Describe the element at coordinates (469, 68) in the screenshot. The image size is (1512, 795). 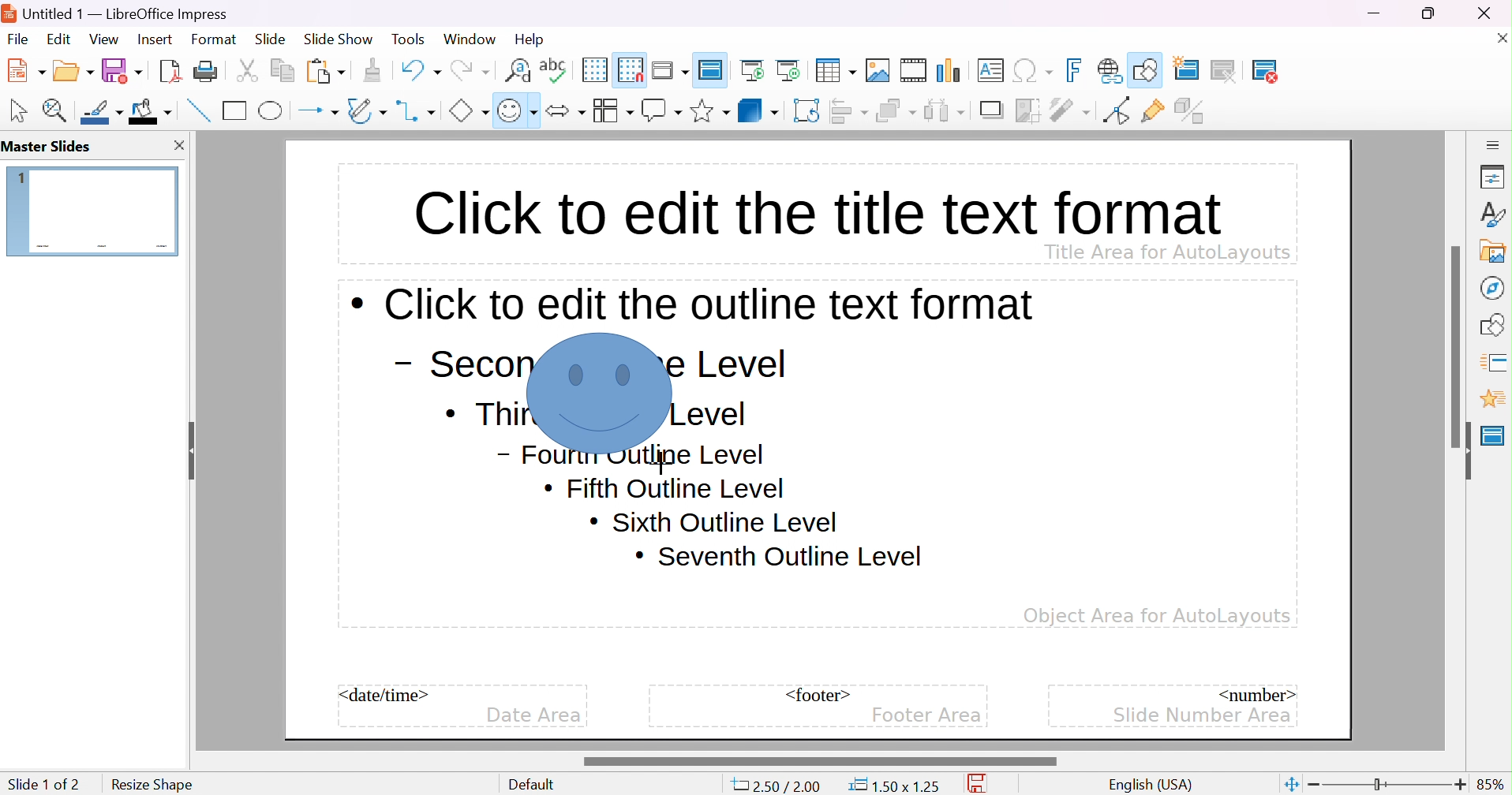
I see `redo` at that location.